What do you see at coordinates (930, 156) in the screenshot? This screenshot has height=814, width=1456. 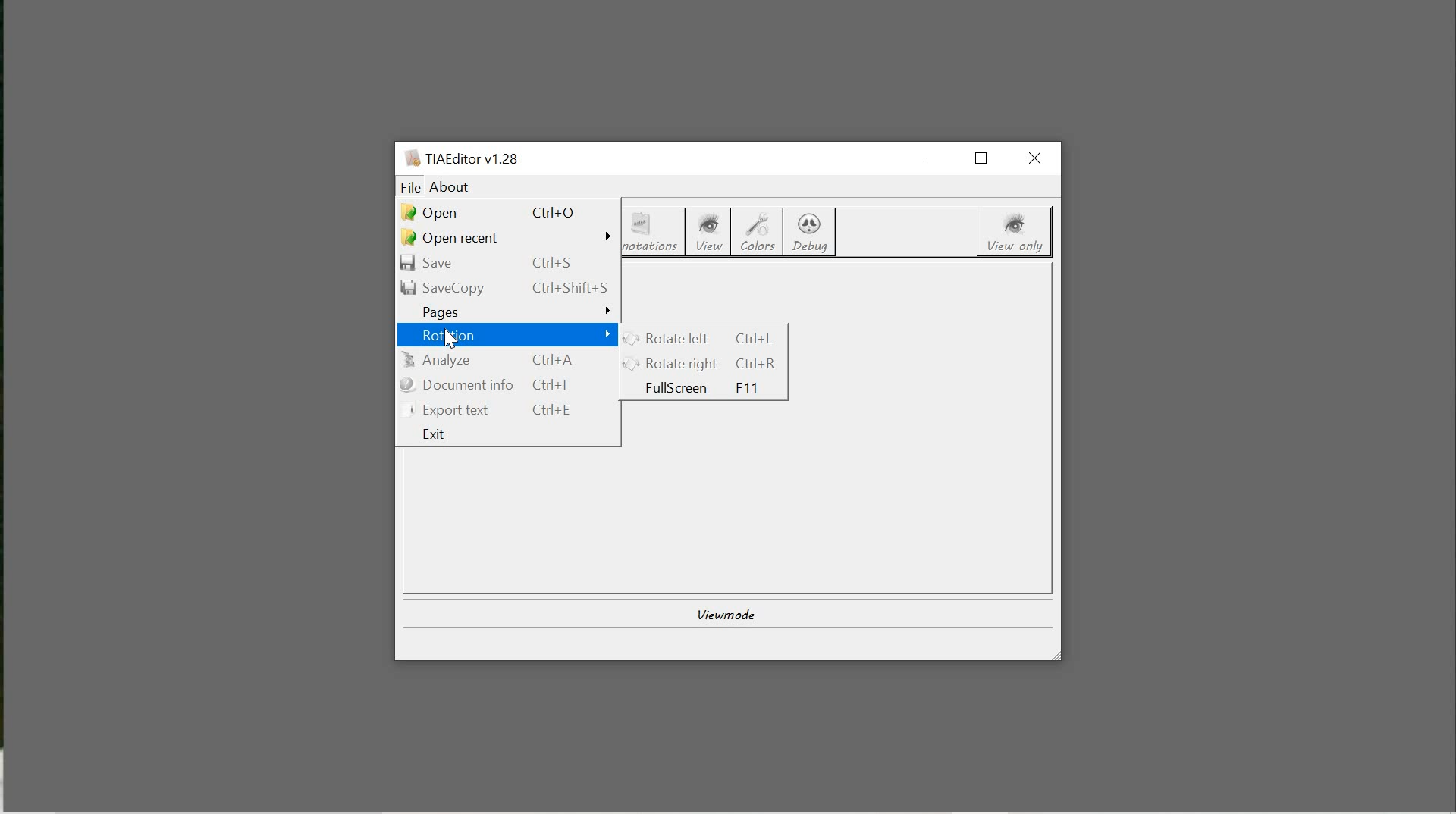 I see `` at bounding box center [930, 156].